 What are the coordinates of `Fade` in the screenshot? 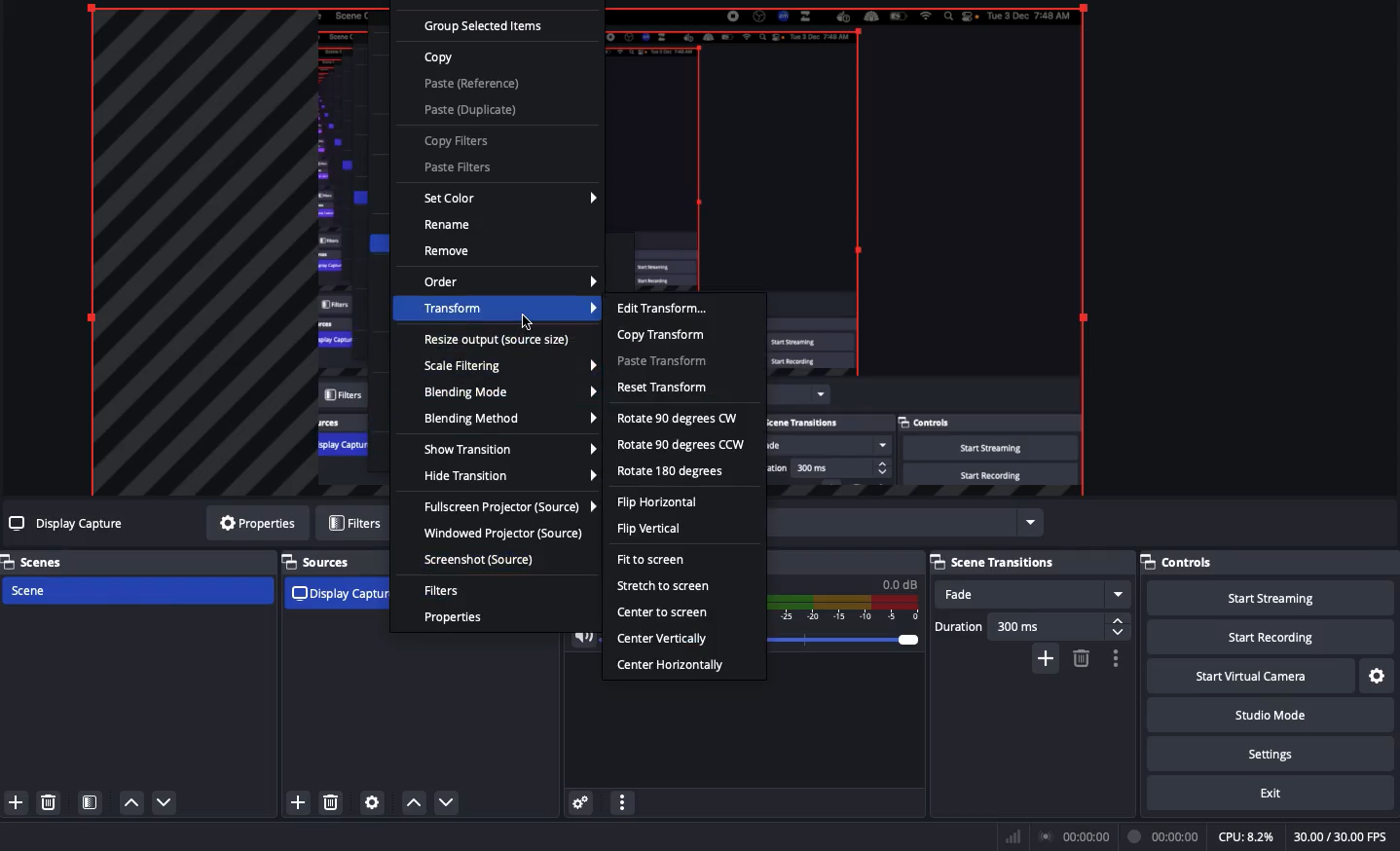 It's located at (1032, 595).